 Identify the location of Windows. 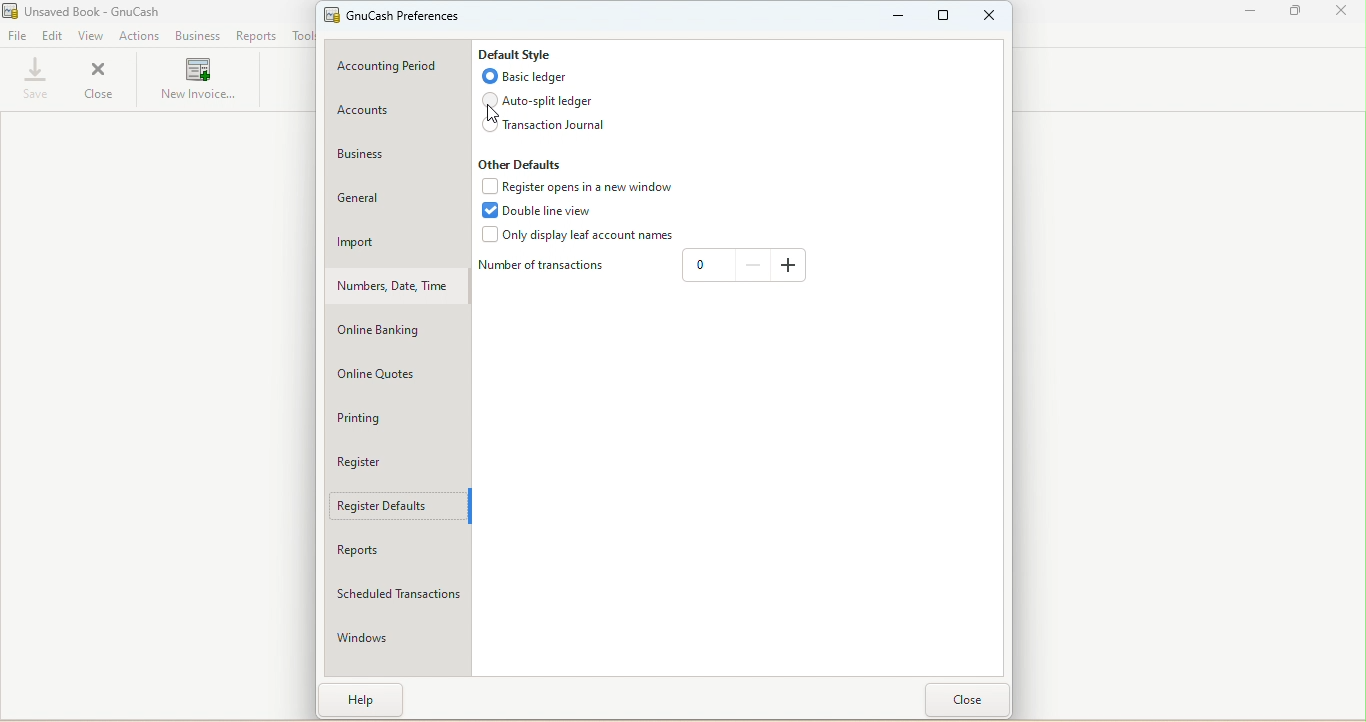
(397, 641).